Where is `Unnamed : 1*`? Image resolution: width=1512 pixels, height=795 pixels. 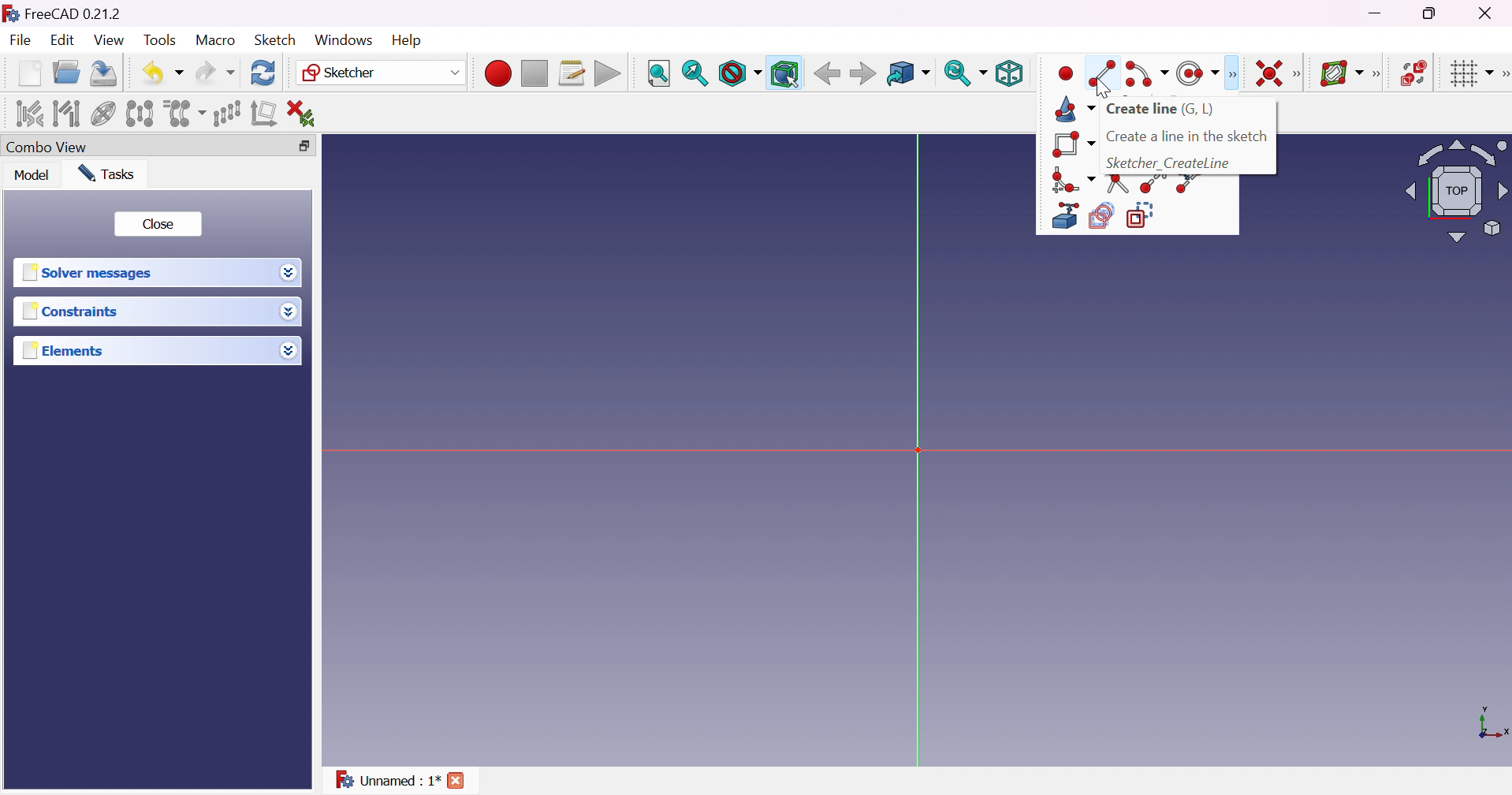
Unnamed : 1* is located at coordinates (388, 782).